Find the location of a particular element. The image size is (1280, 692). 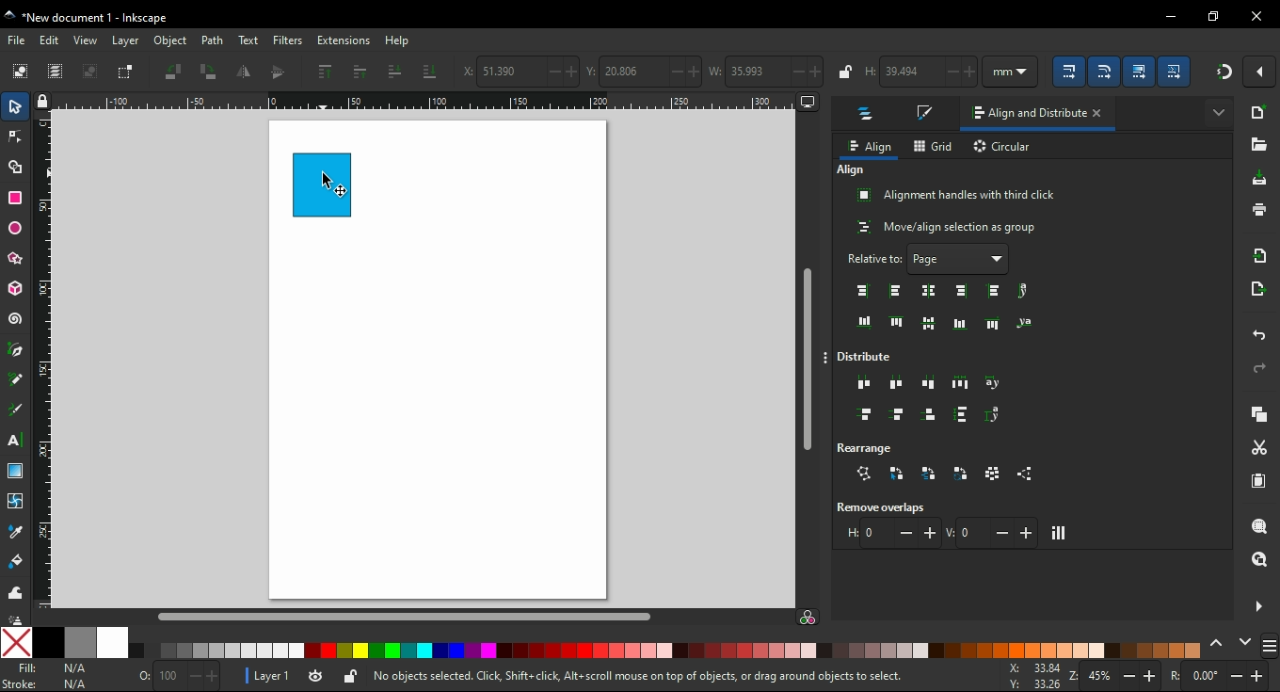

select all is located at coordinates (20, 72).